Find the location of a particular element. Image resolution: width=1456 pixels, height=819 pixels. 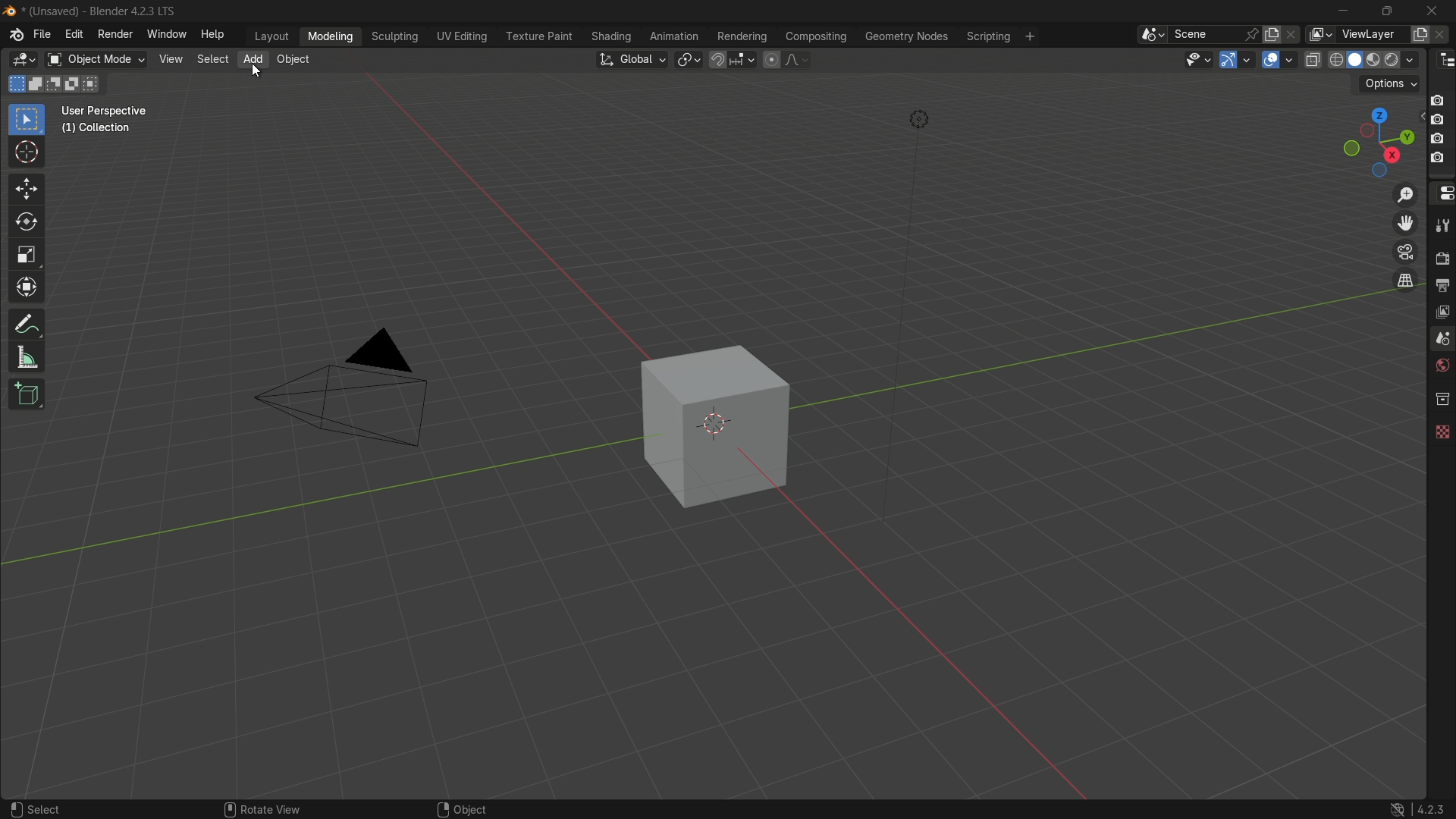

tools is located at coordinates (1442, 223).